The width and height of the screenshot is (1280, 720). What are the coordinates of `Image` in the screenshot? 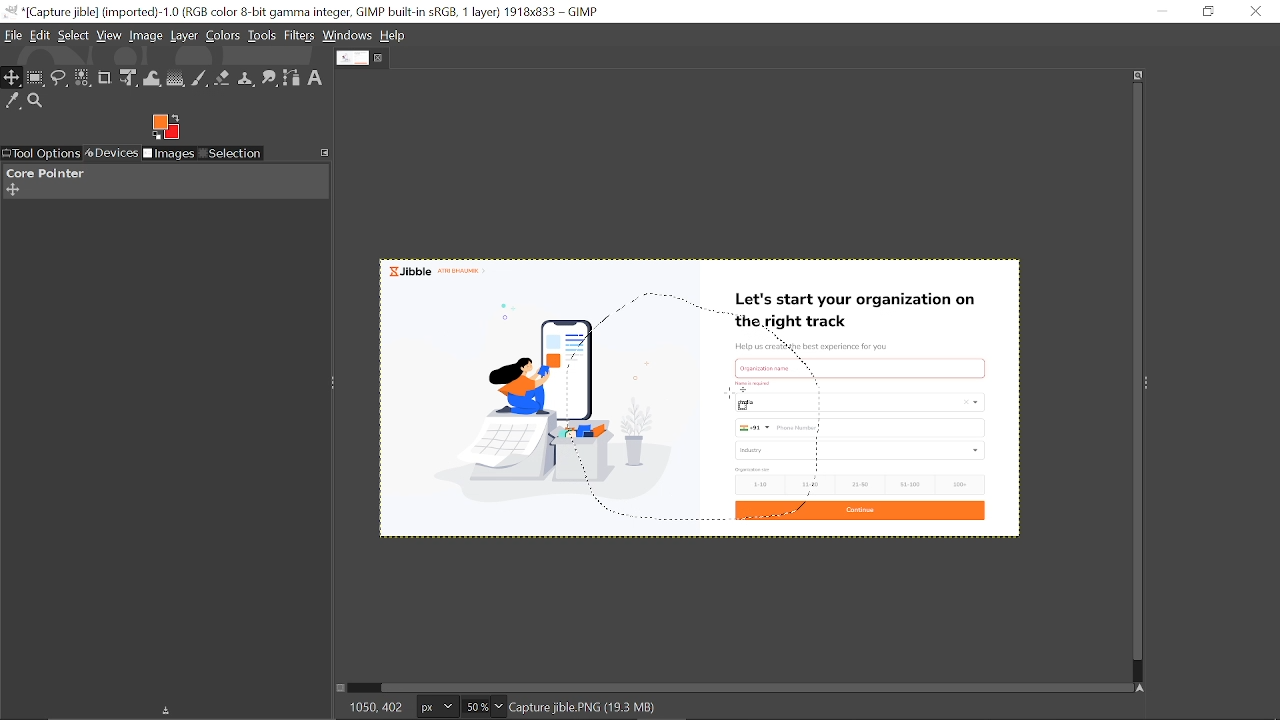 It's located at (147, 36).